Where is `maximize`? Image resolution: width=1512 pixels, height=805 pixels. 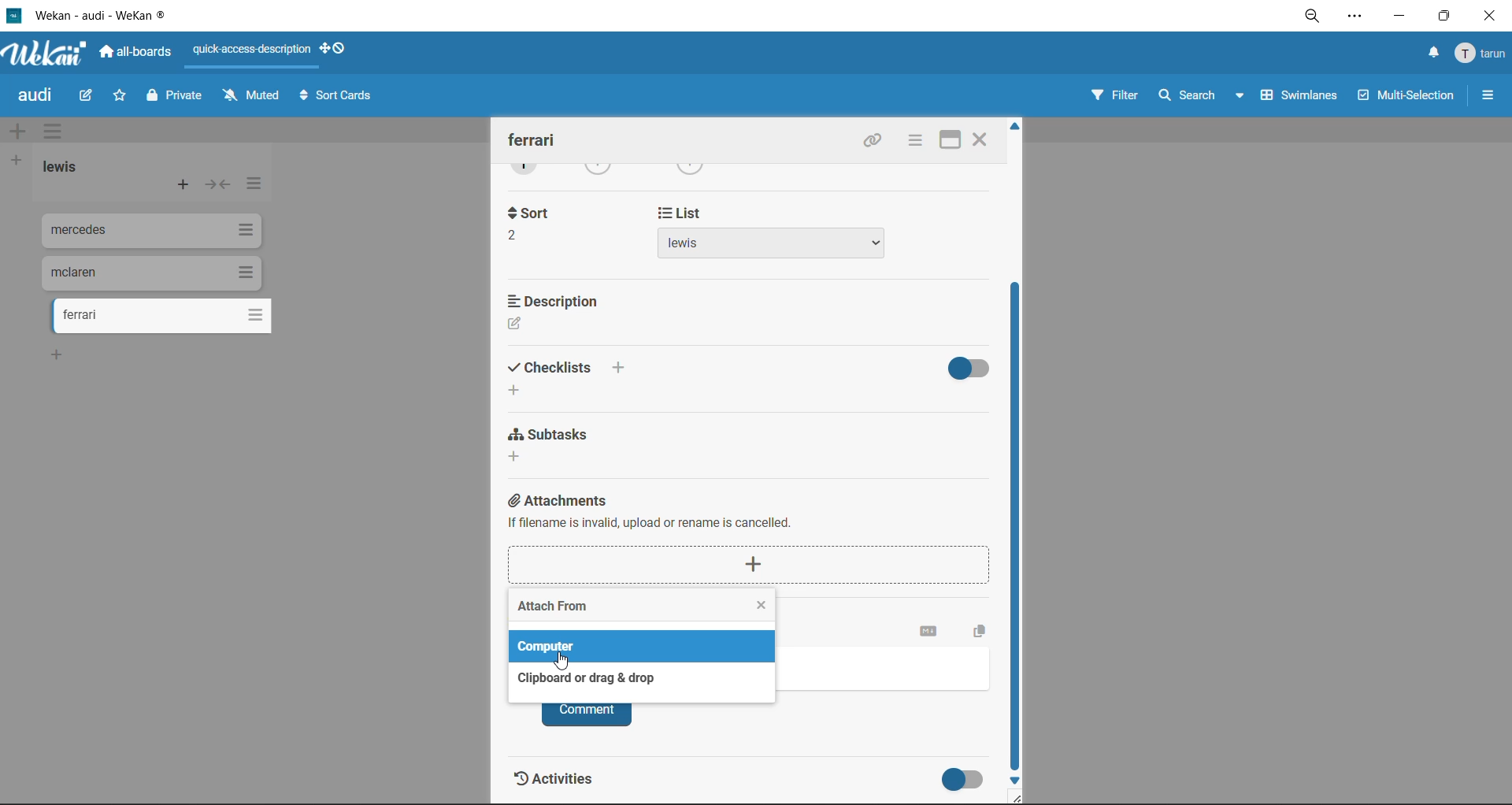 maximize is located at coordinates (1443, 17).